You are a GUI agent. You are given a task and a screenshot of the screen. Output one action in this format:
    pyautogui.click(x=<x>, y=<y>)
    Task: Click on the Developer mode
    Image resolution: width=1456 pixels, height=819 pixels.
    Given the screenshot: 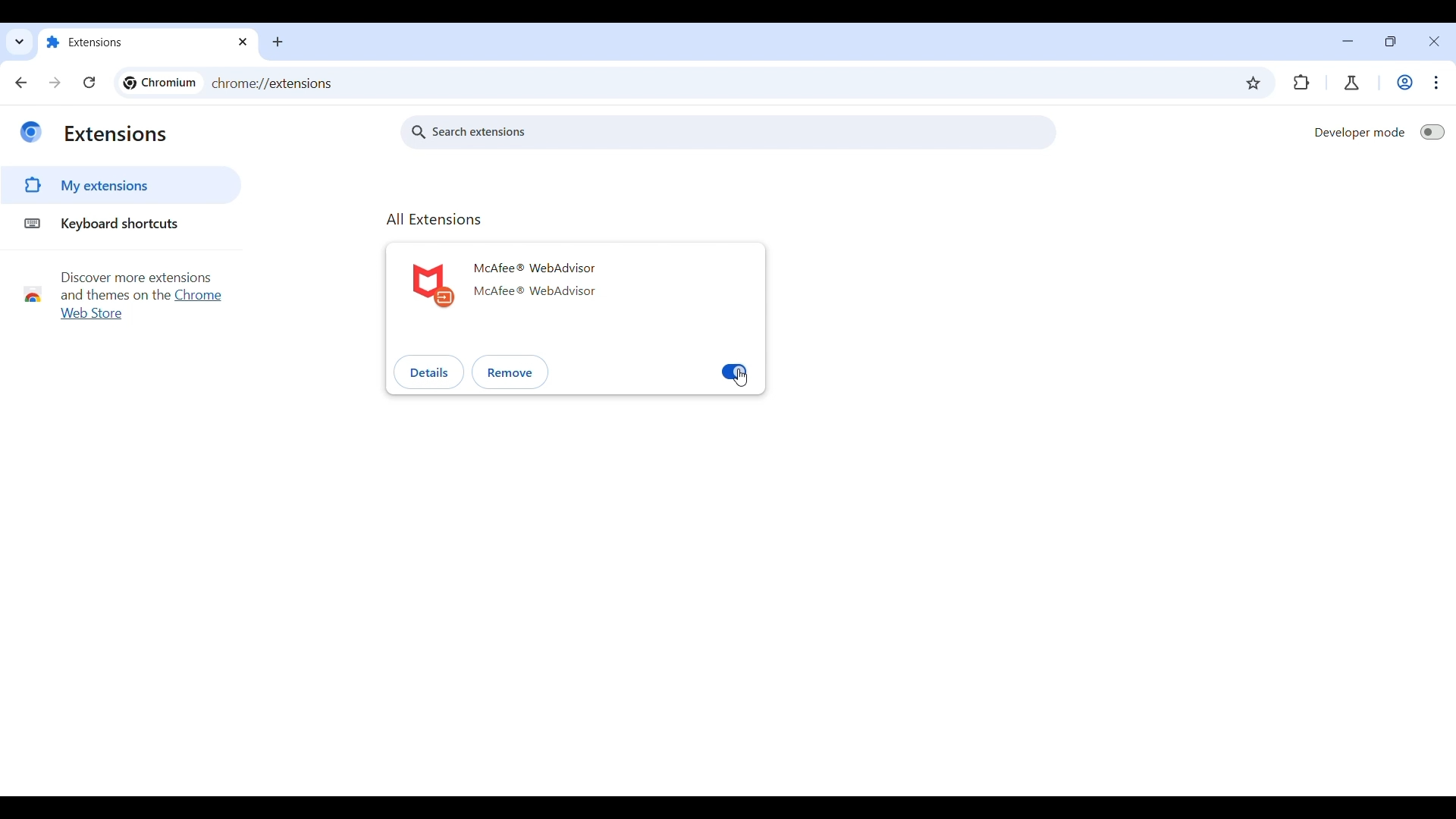 What is the action you would take?
    pyautogui.click(x=1360, y=132)
    